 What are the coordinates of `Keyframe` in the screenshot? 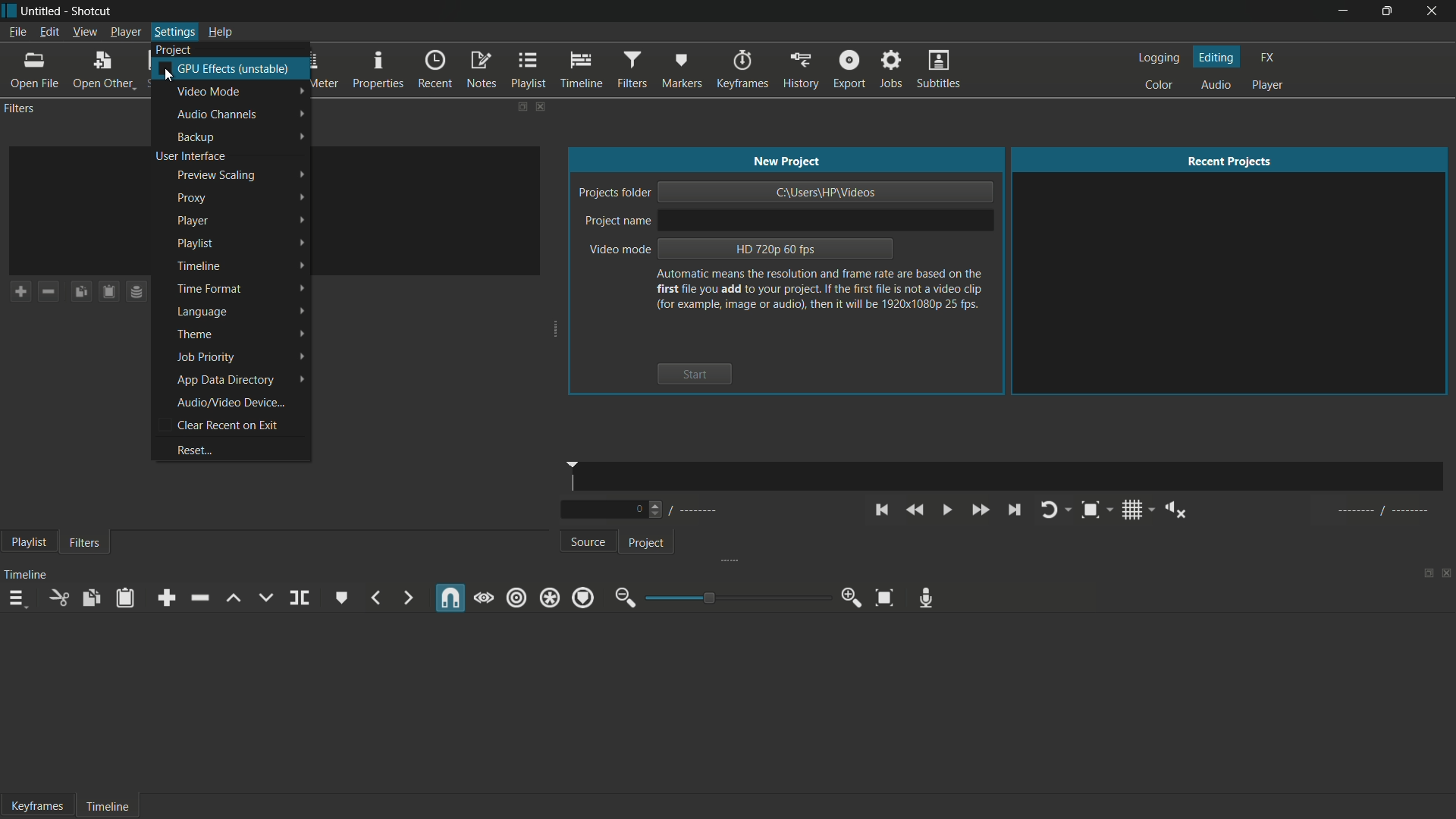 It's located at (33, 805).